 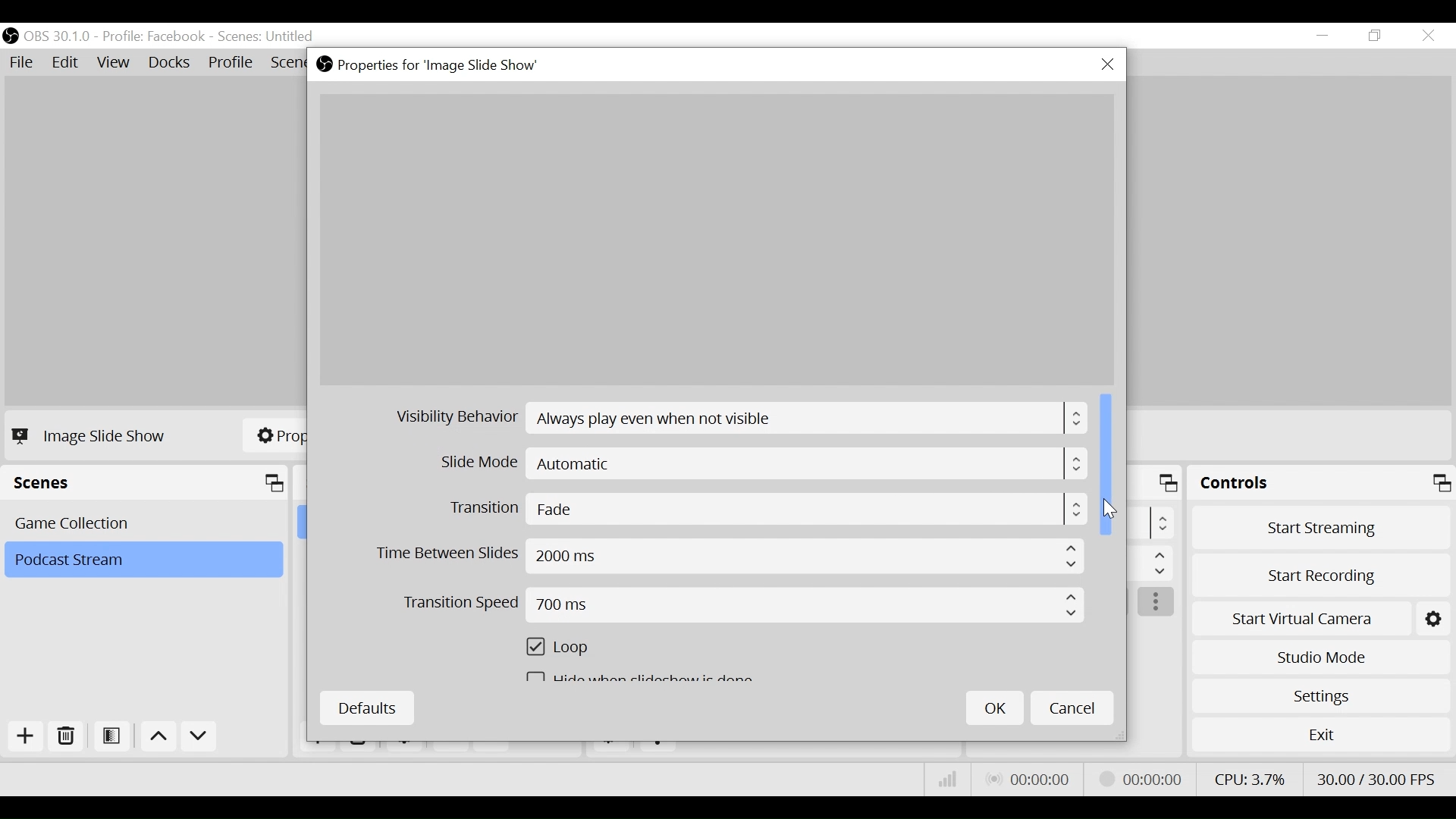 What do you see at coordinates (161, 739) in the screenshot?
I see `Move up` at bounding box center [161, 739].